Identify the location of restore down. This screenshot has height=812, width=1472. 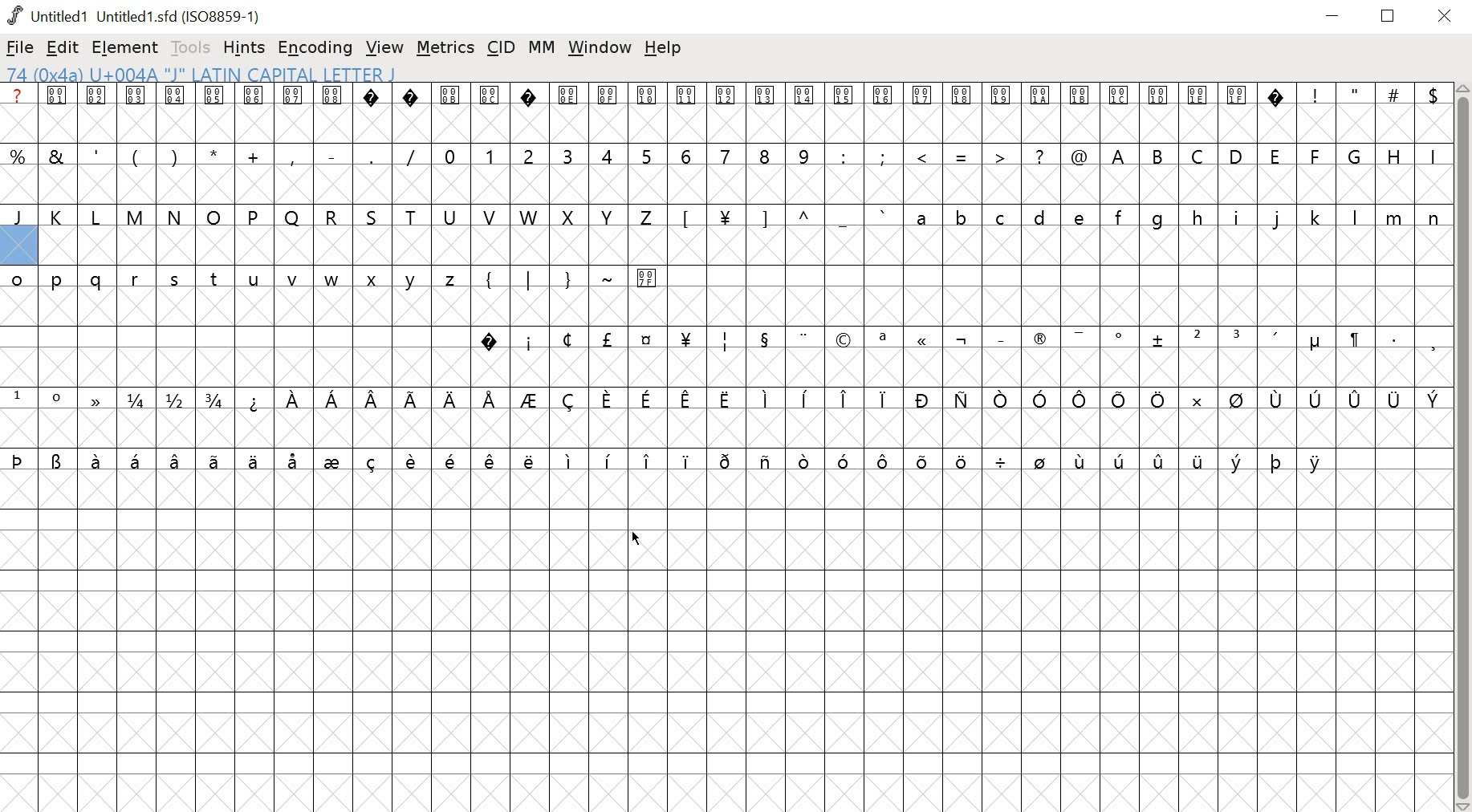
(1389, 16).